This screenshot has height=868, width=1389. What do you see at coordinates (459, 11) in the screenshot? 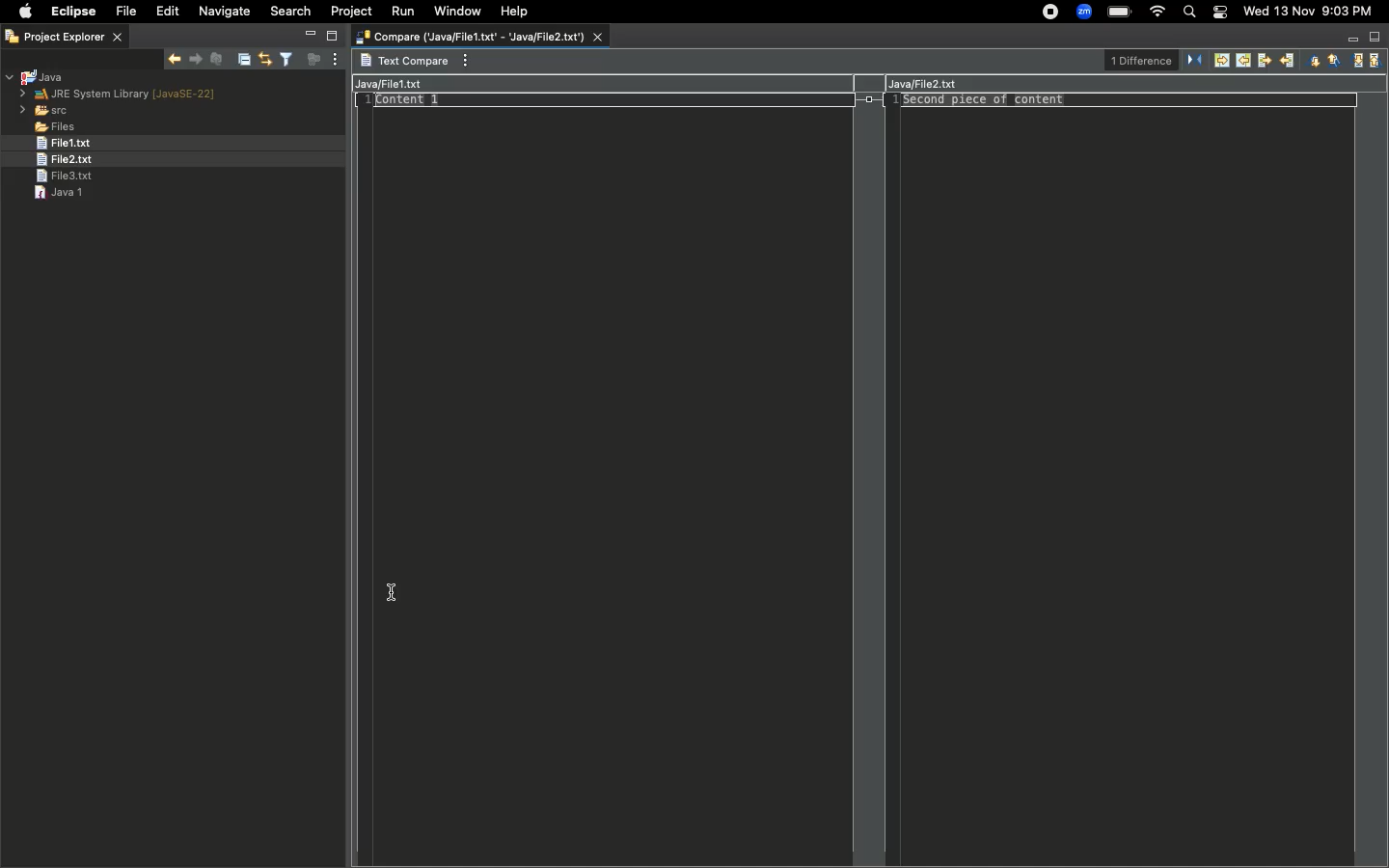
I see `Window` at bounding box center [459, 11].